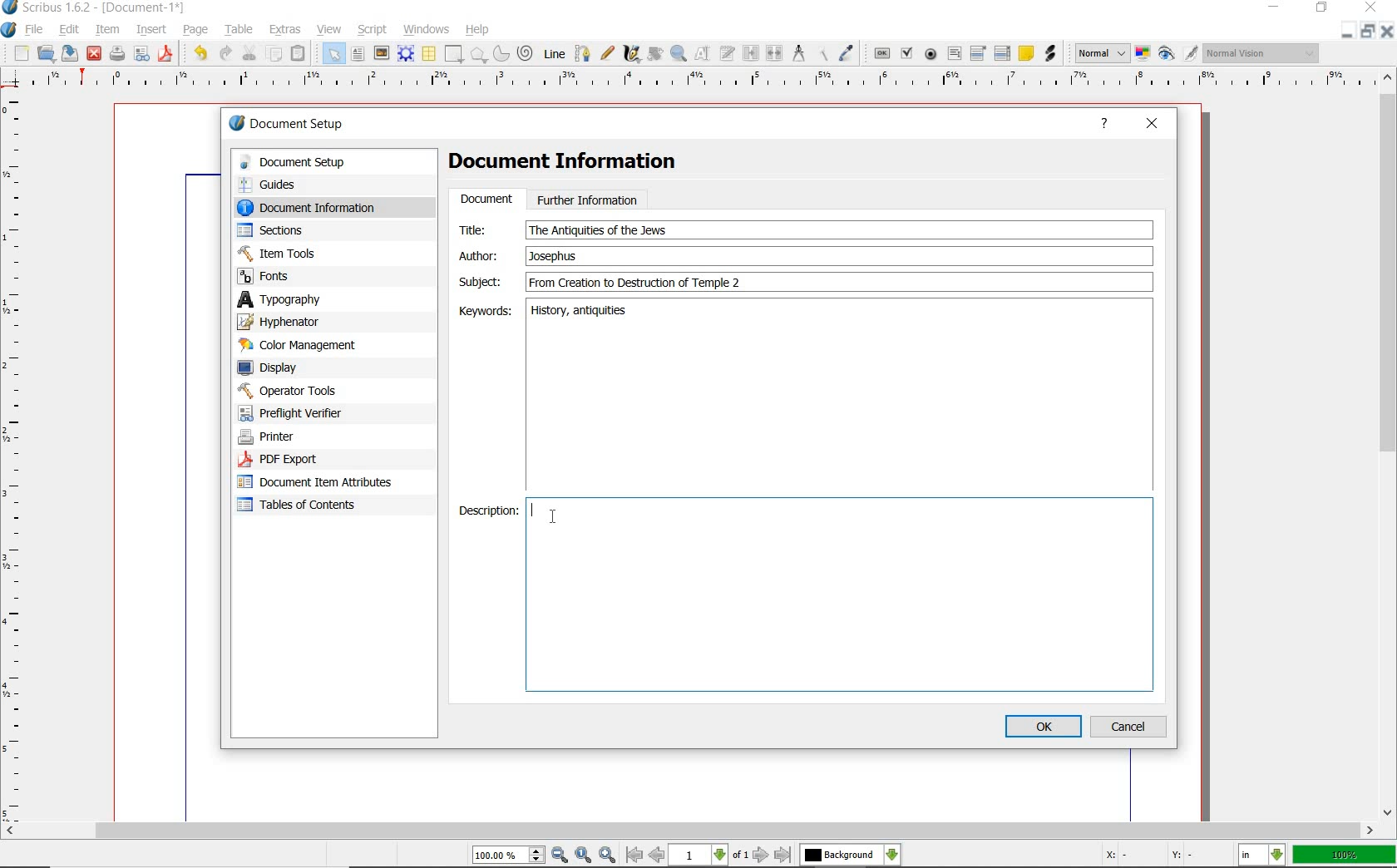 This screenshot has width=1397, height=868. What do you see at coordinates (728, 55) in the screenshot?
I see `edit text with story editor` at bounding box center [728, 55].